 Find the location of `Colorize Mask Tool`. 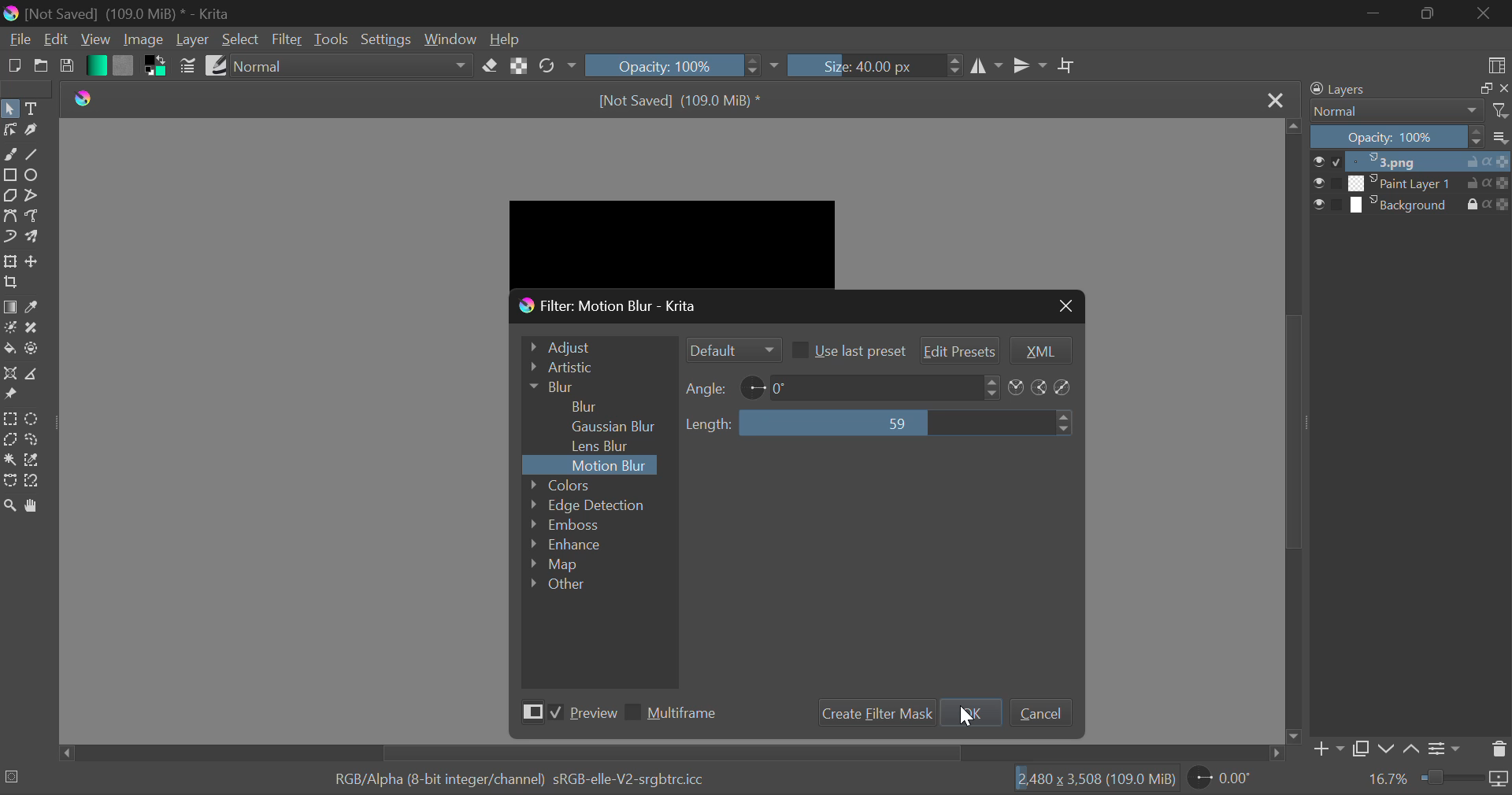

Colorize Mask Tool is located at coordinates (9, 327).